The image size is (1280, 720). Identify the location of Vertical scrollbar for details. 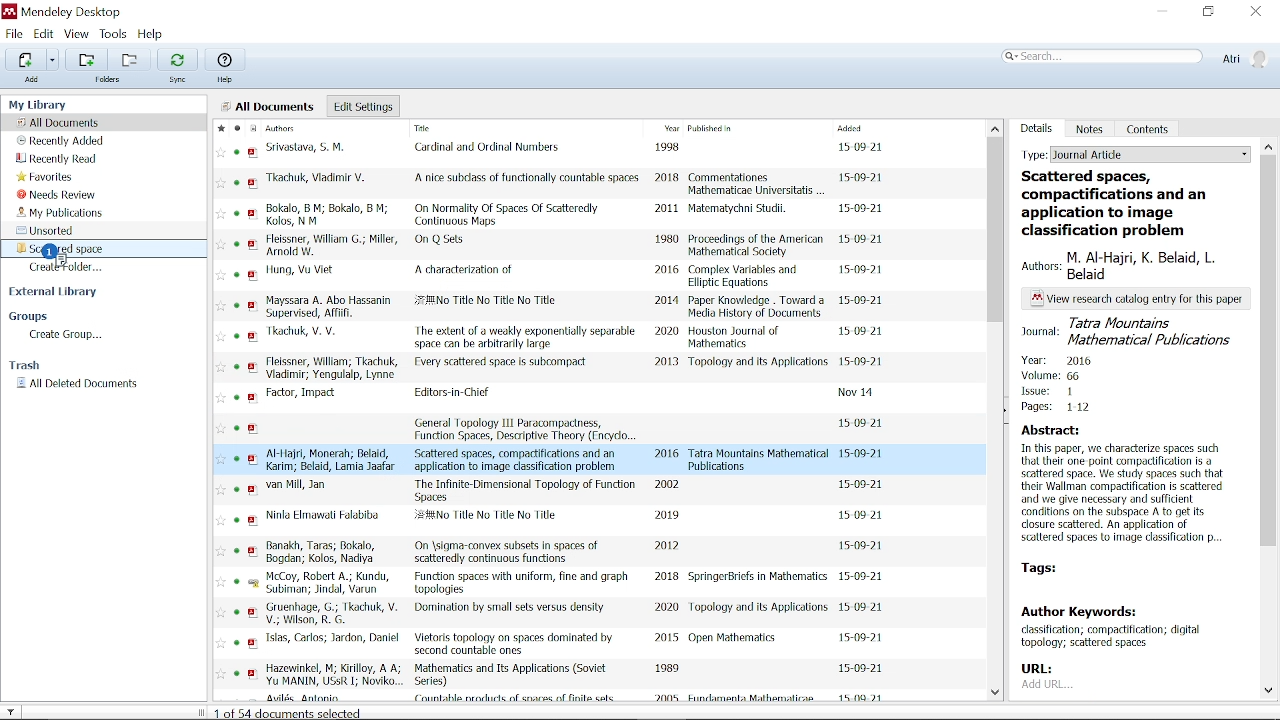
(1269, 362).